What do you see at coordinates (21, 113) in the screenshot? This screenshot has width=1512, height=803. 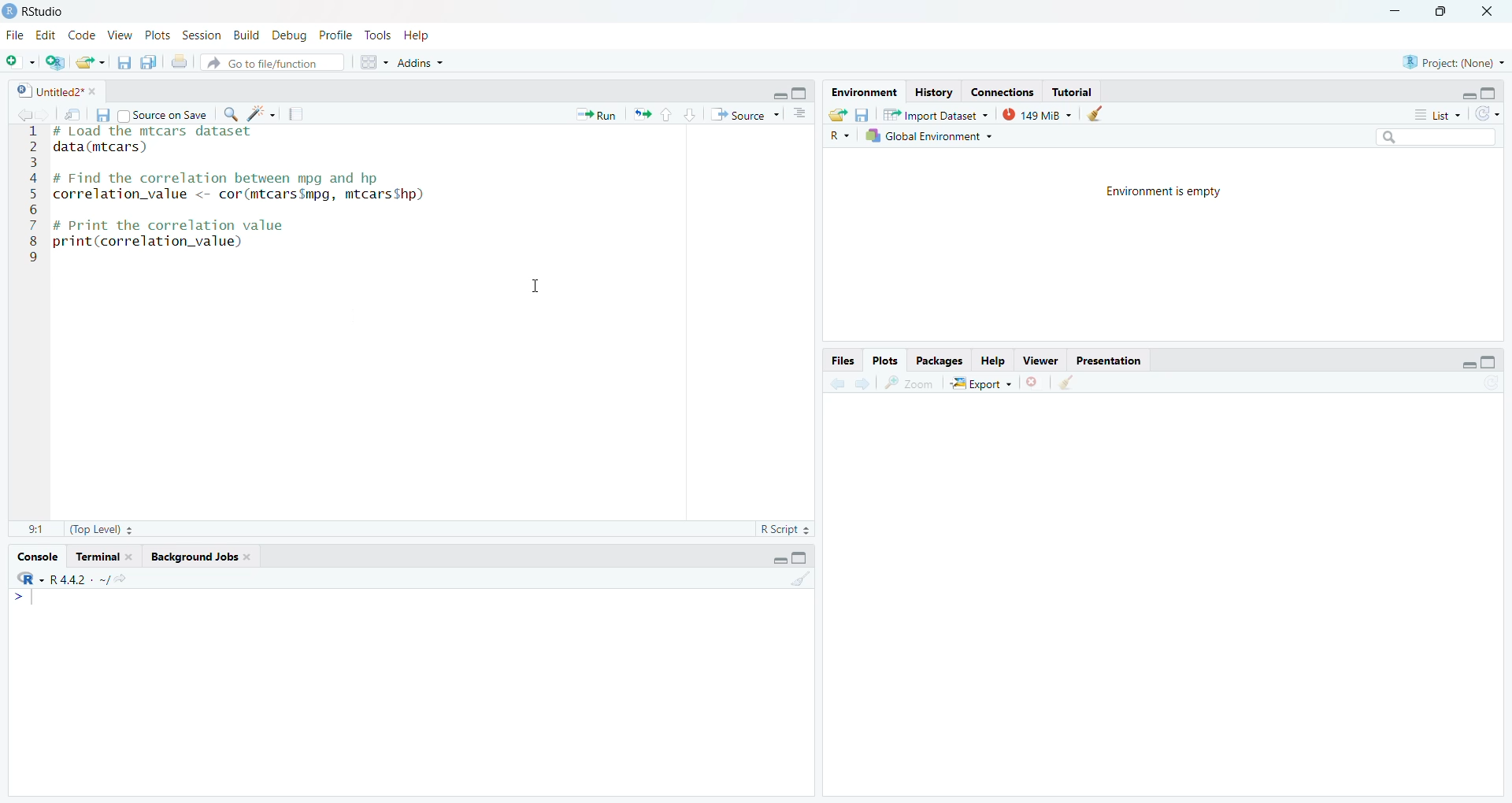 I see `Go back to the previous source location (Ctrl + F9)` at bounding box center [21, 113].